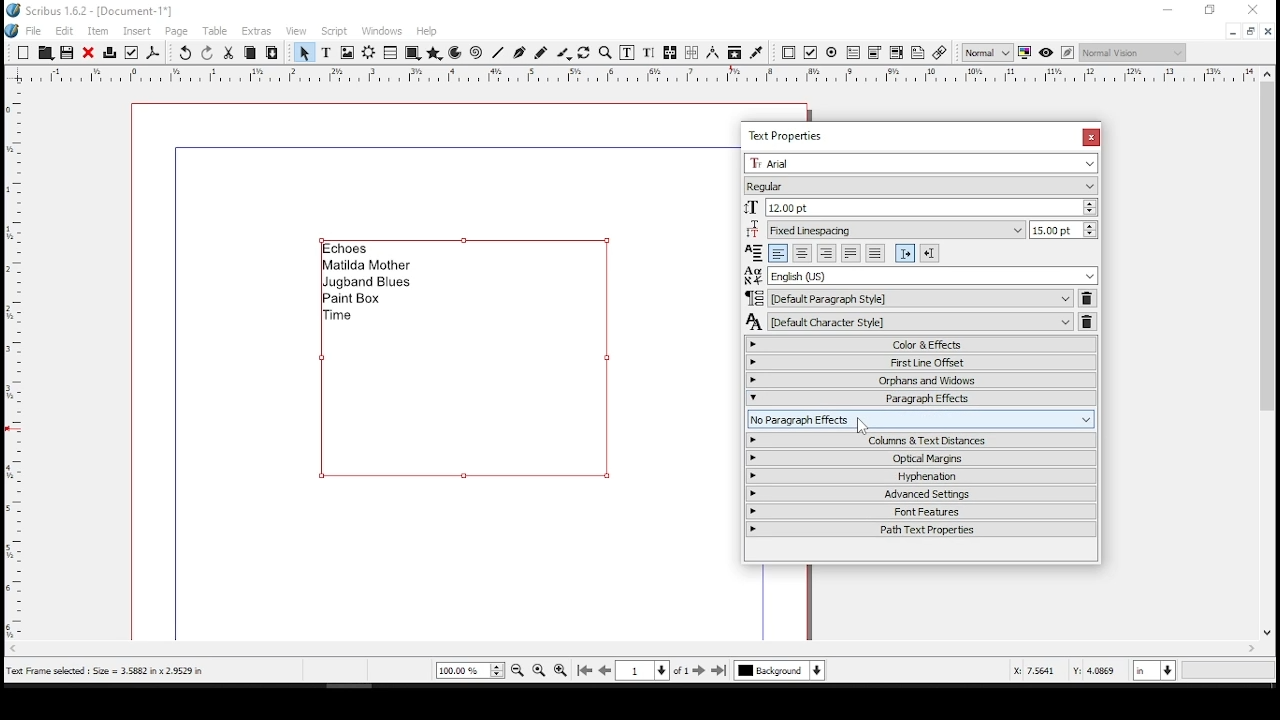 This screenshot has width=1280, height=720. What do you see at coordinates (273, 53) in the screenshot?
I see `paste` at bounding box center [273, 53].